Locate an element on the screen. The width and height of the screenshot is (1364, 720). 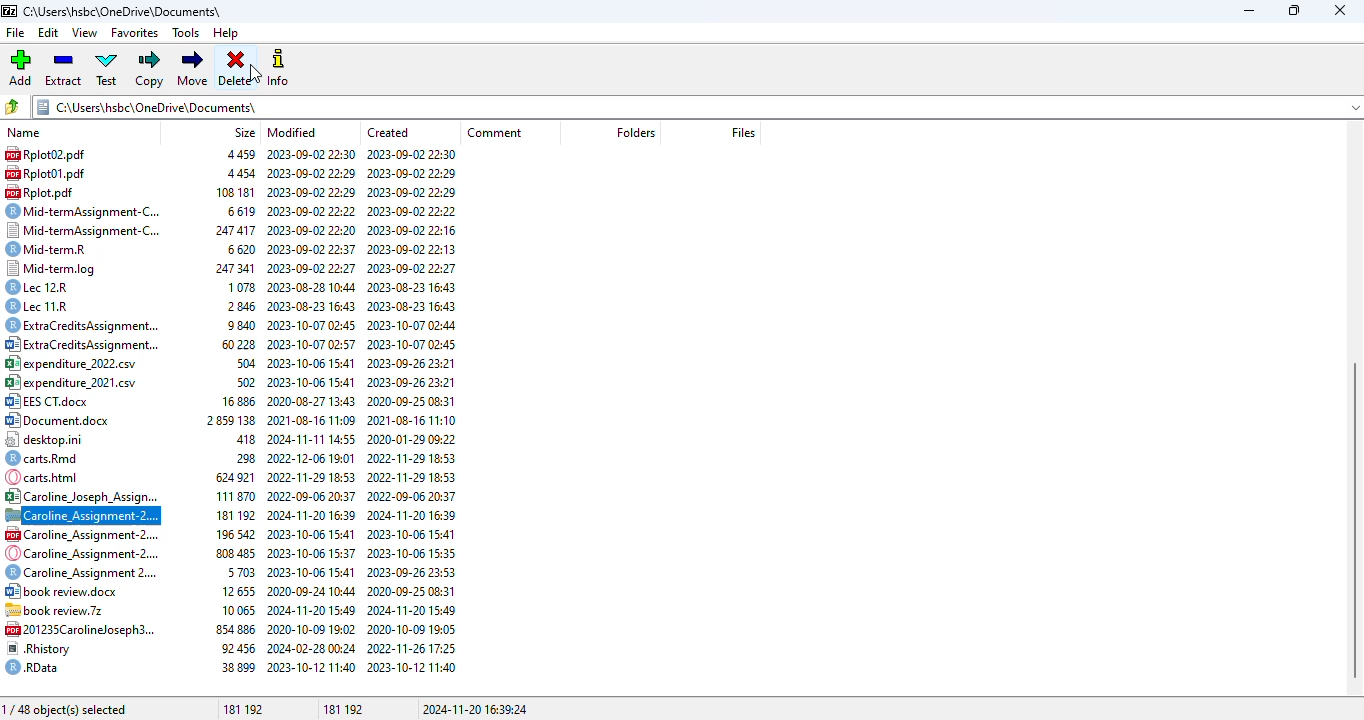
2023-09-02 22:29 is located at coordinates (311, 173).